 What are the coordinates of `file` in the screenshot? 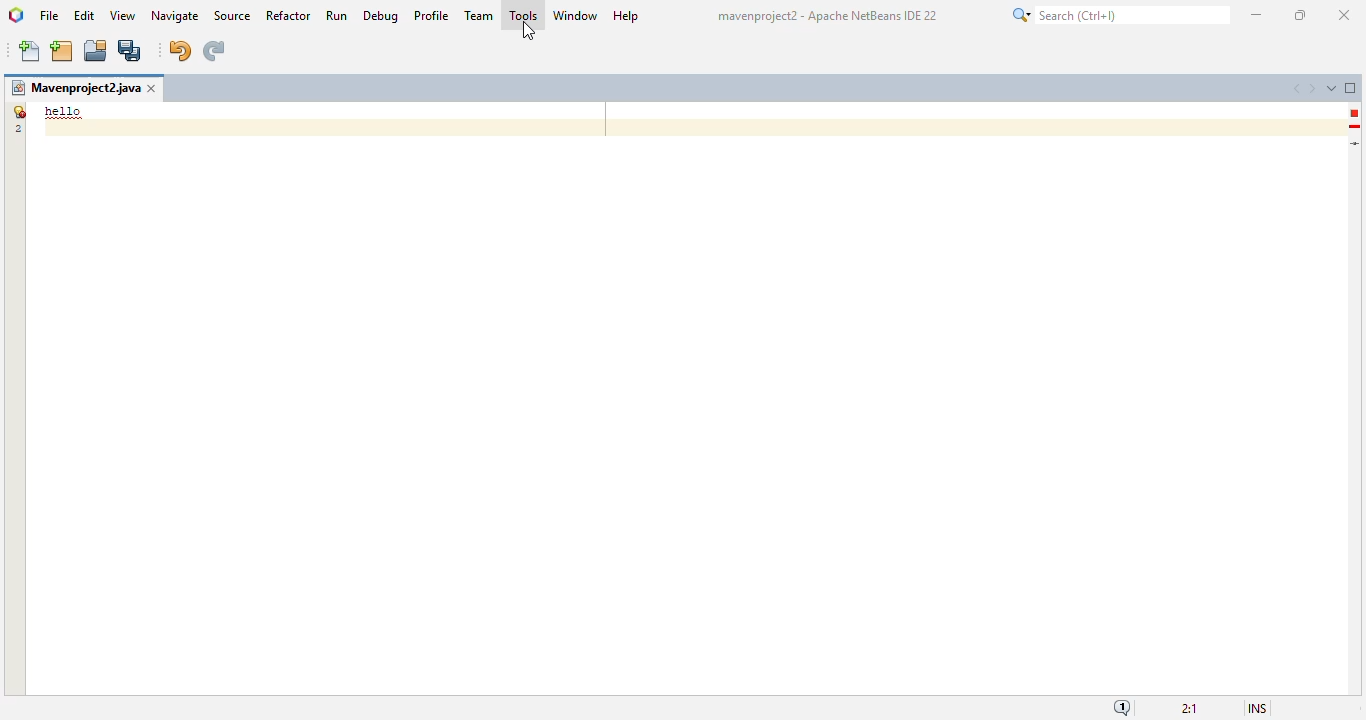 It's located at (49, 17).